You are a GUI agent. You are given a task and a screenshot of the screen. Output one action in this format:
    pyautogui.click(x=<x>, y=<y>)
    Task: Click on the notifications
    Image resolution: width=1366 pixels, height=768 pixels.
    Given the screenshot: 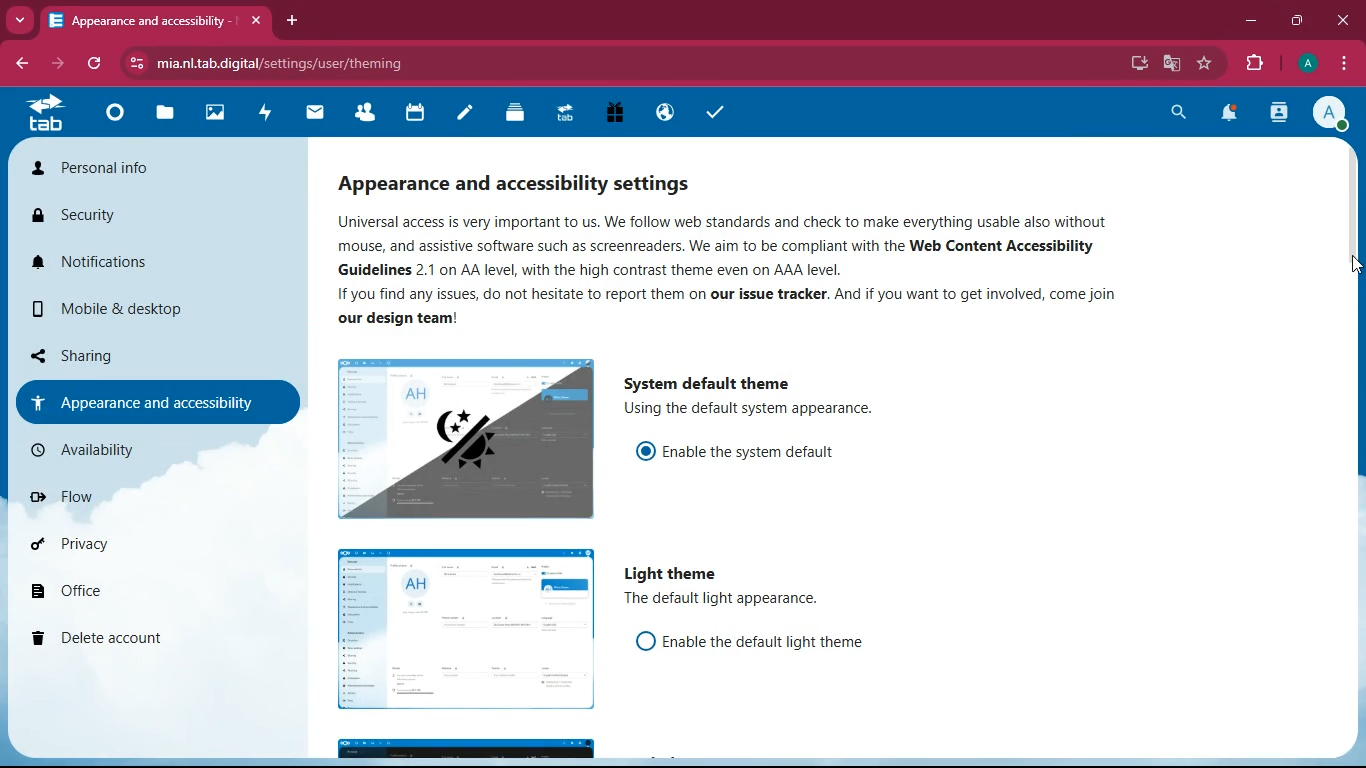 What is the action you would take?
    pyautogui.click(x=1234, y=115)
    